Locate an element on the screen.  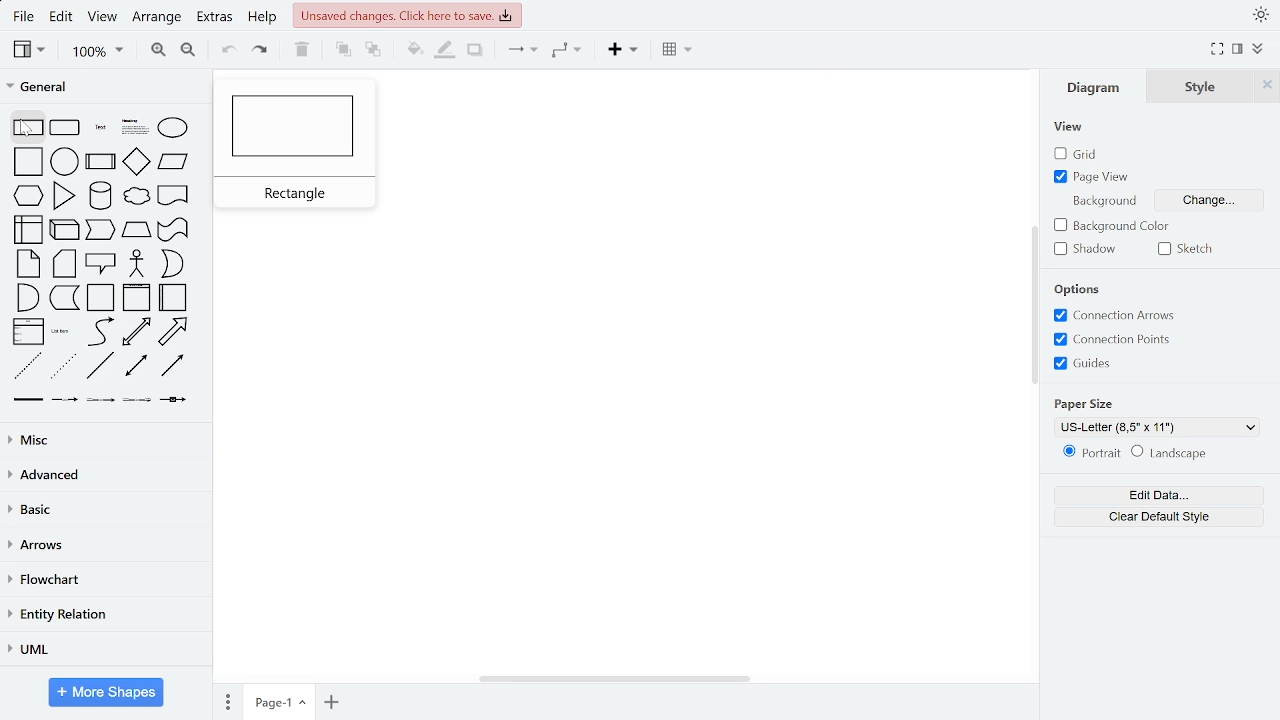
change background is located at coordinates (1218, 201).